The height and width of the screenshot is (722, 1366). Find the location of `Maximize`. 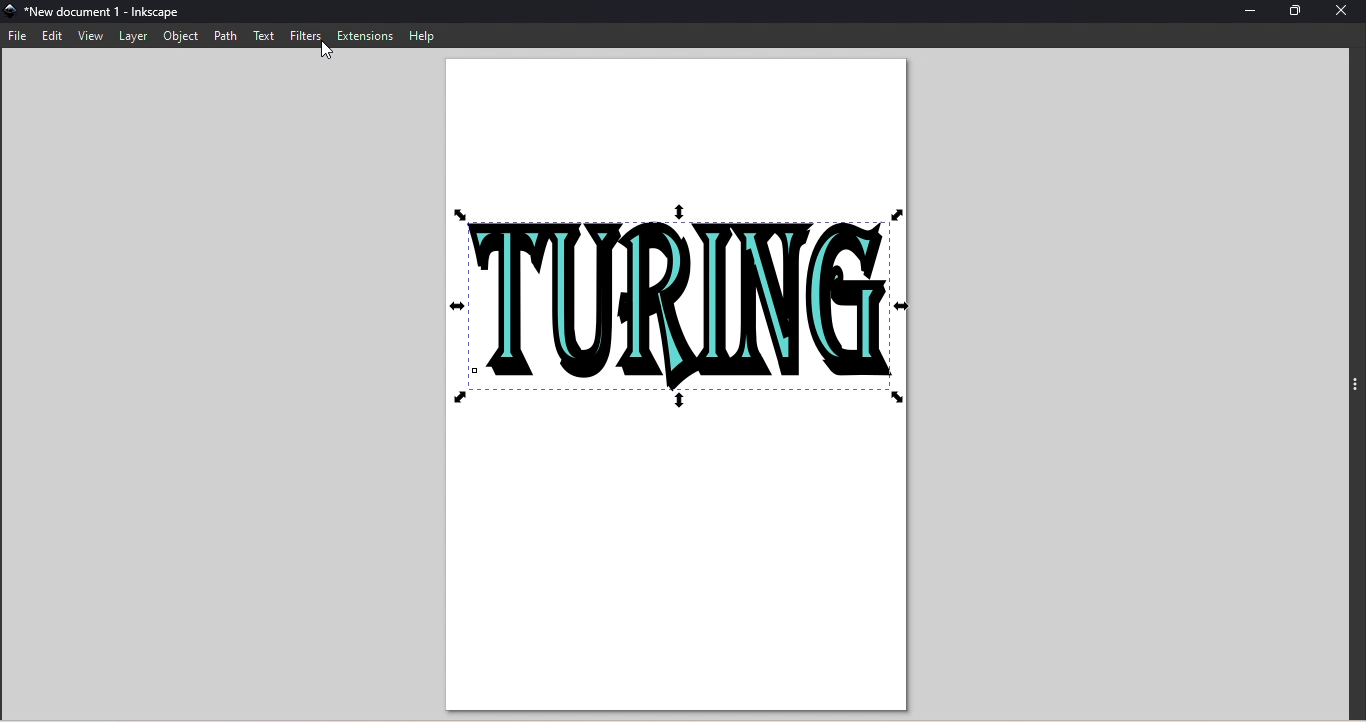

Maximize is located at coordinates (1301, 12).